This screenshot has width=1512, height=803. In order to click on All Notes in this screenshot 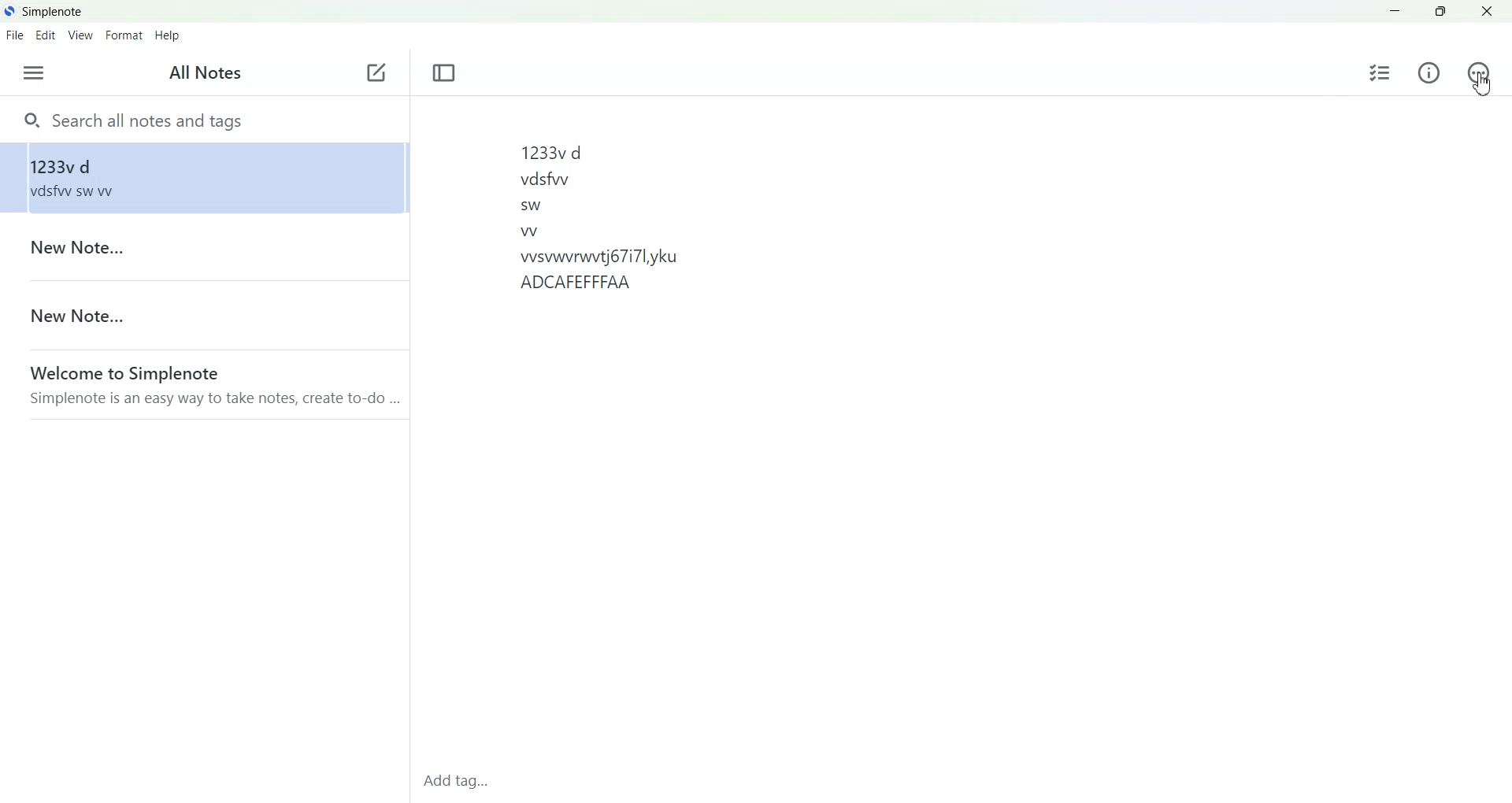, I will do `click(201, 74)`.